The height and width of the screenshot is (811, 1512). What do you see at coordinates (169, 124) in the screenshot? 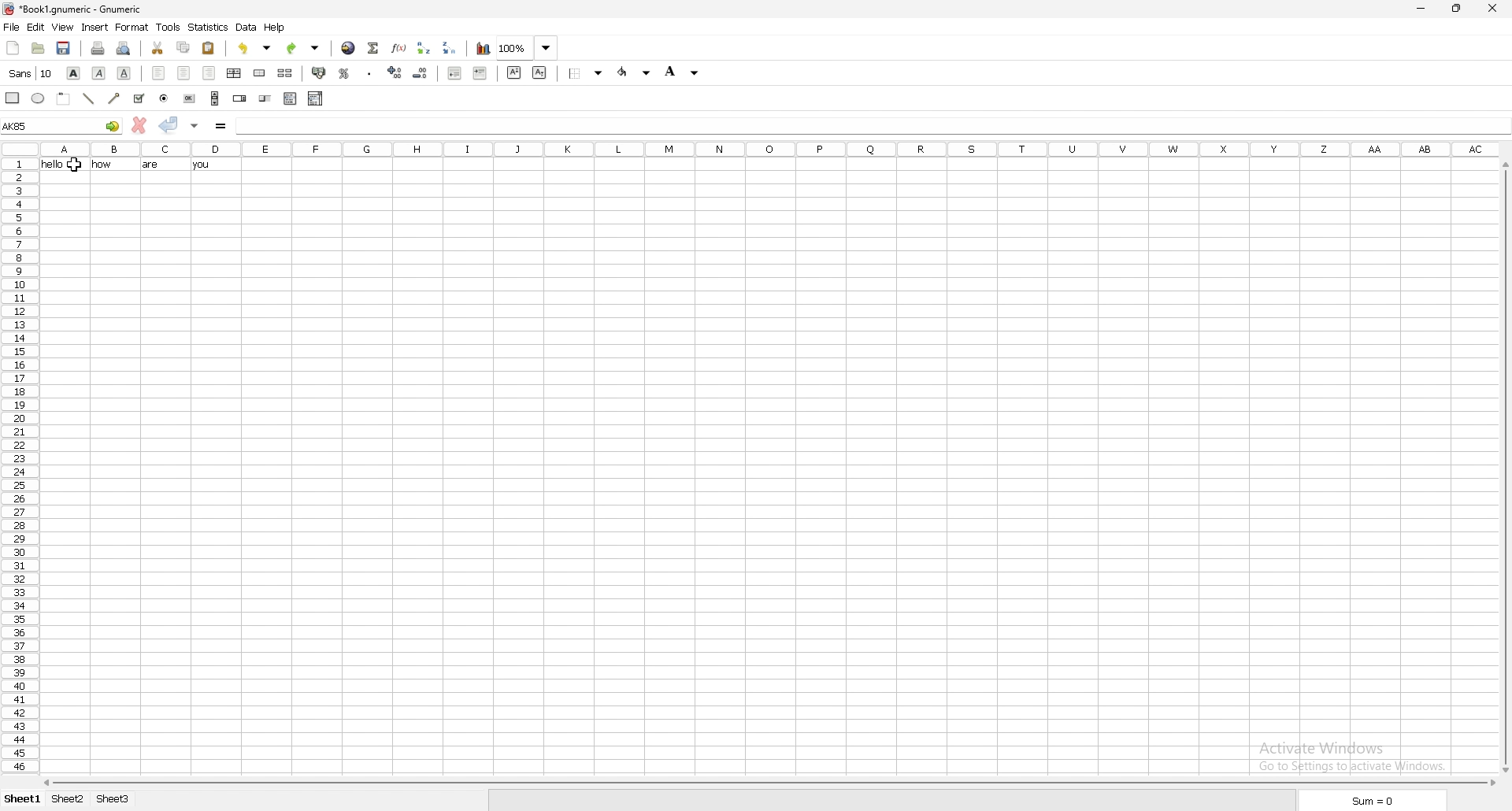
I see `accept changes` at bounding box center [169, 124].